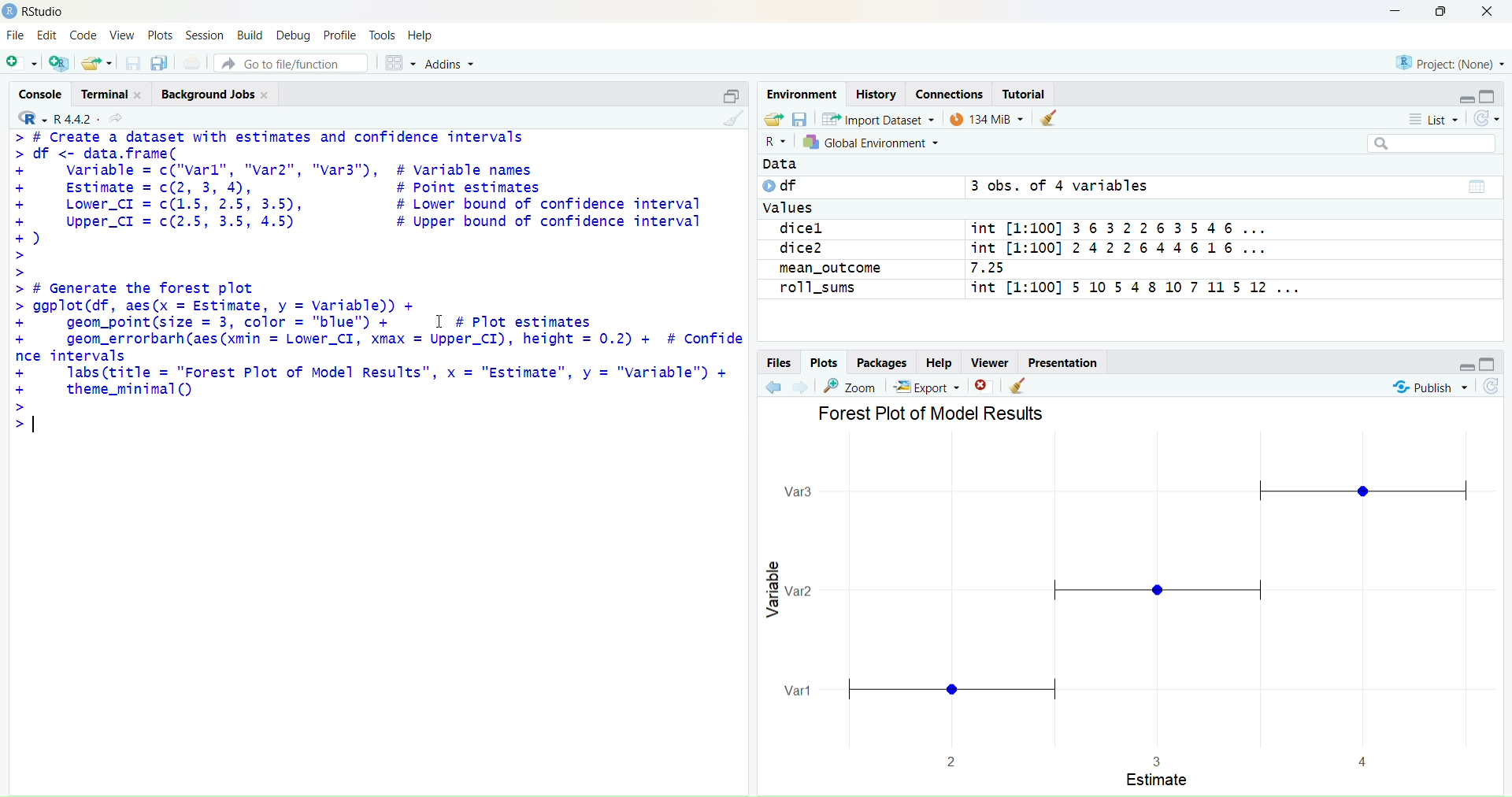  What do you see at coordinates (340, 35) in the screenshot?
I see `Profile` at bounding box center [340, 35].